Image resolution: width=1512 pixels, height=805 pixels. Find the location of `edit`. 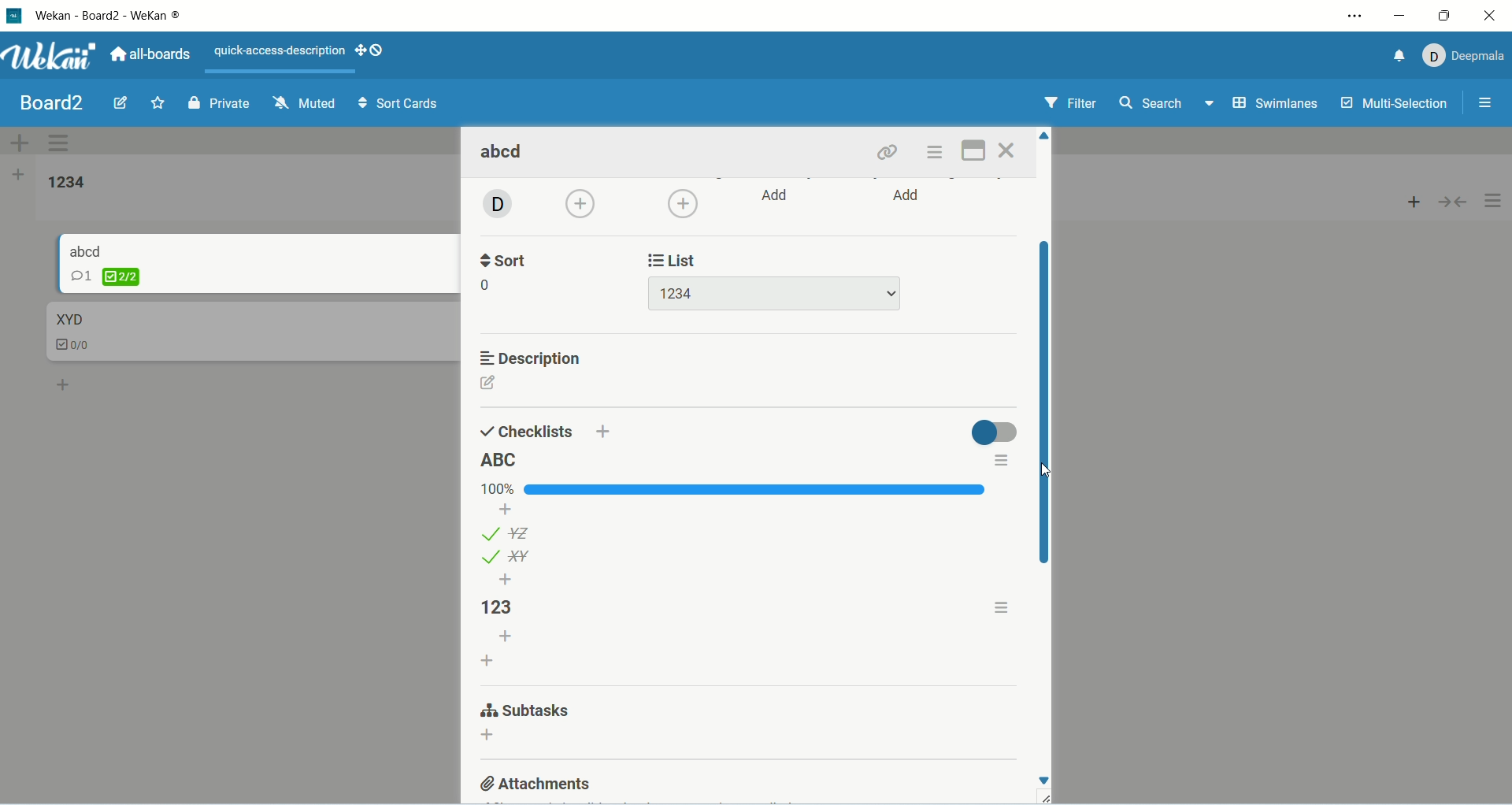

edit is located at coordinates (489, 383).